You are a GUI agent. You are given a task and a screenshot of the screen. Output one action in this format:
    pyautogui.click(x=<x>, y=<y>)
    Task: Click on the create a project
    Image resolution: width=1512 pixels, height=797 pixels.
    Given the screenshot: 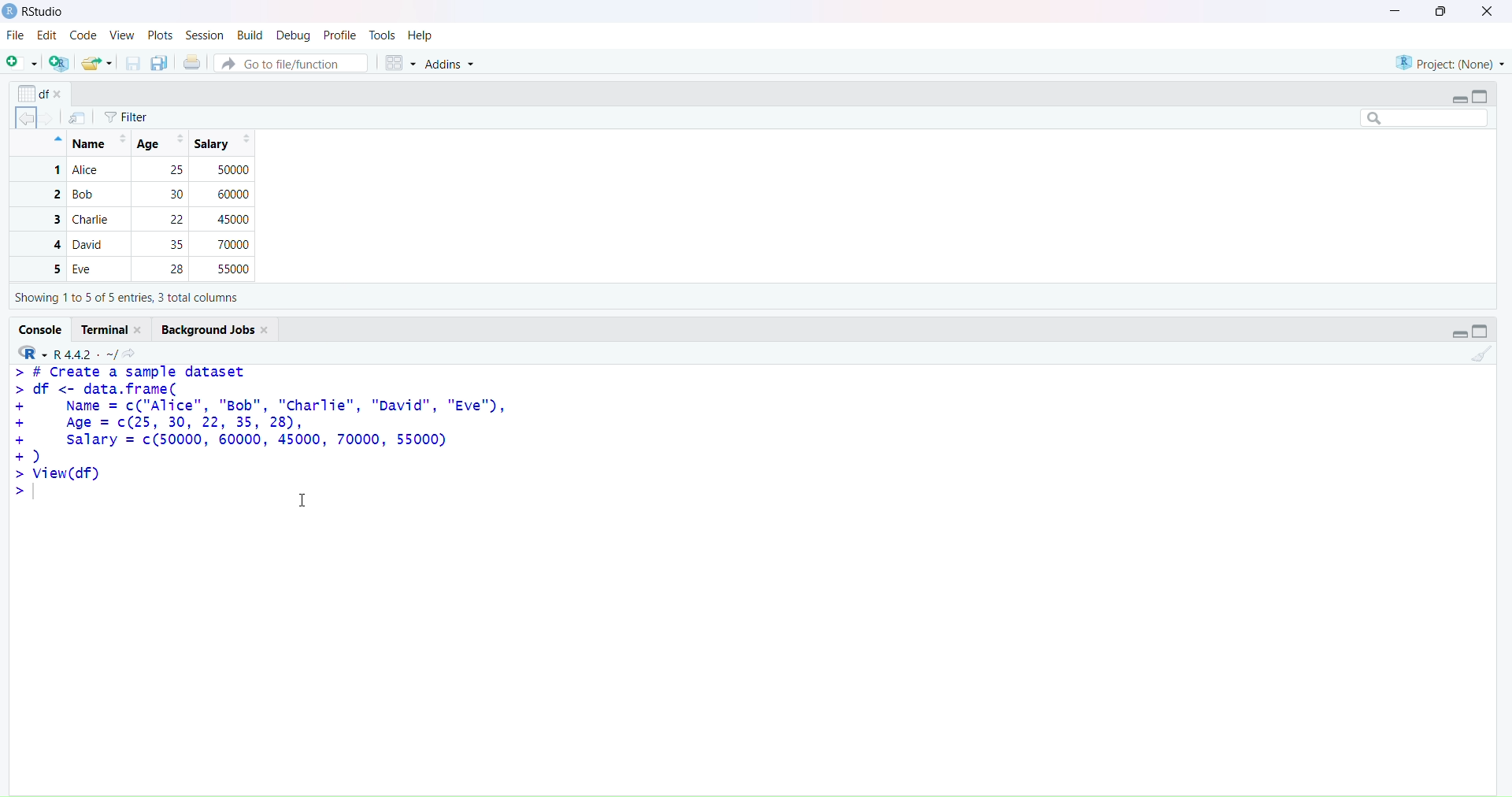 What is the action you would take?
    pyautogui.click(x=59, y=63)
    